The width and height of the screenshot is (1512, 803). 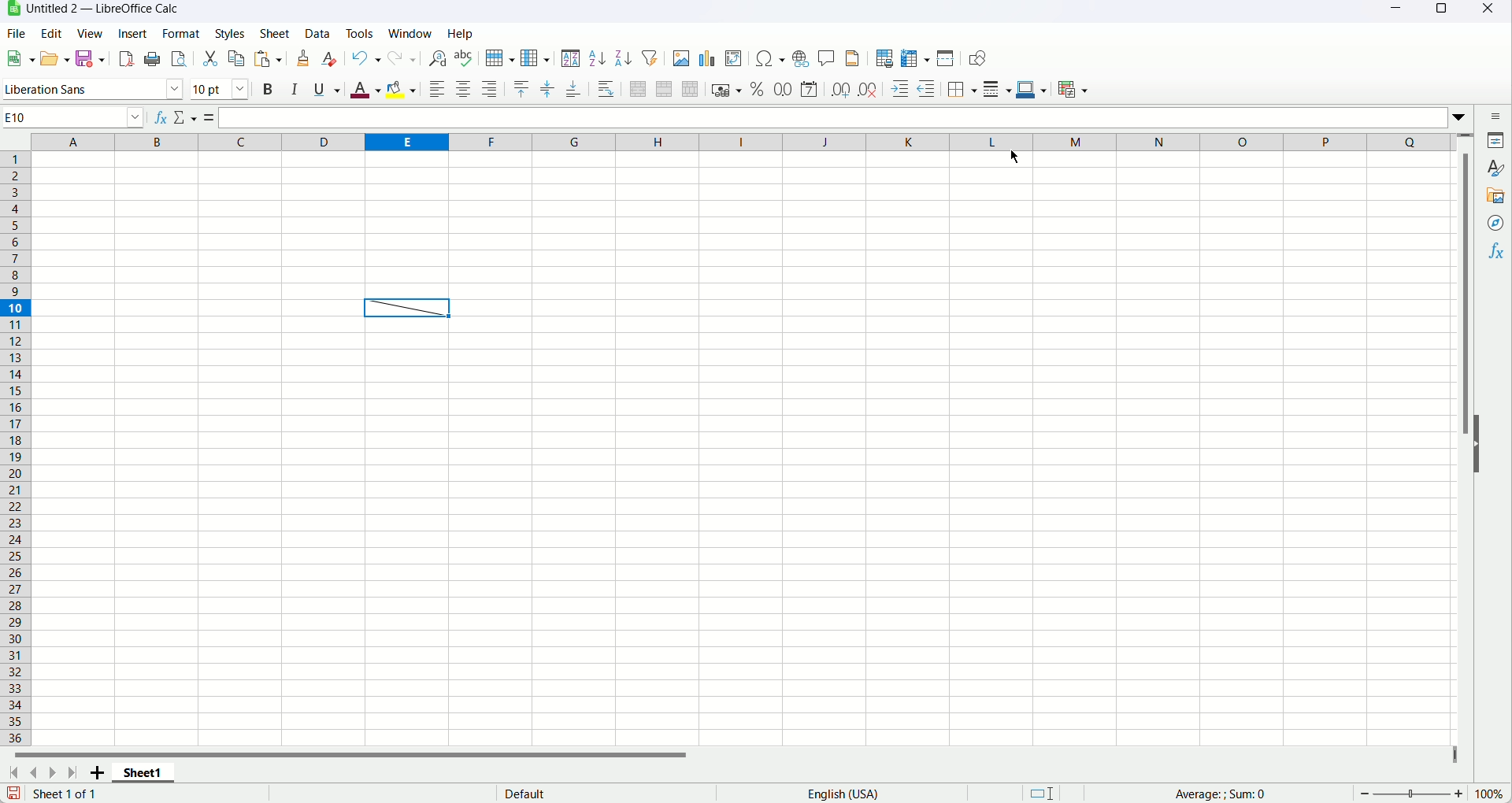 What do you see at coordinates (366, 58) in the screenshot?
I see `Undo` at bounding box center [366, 58].